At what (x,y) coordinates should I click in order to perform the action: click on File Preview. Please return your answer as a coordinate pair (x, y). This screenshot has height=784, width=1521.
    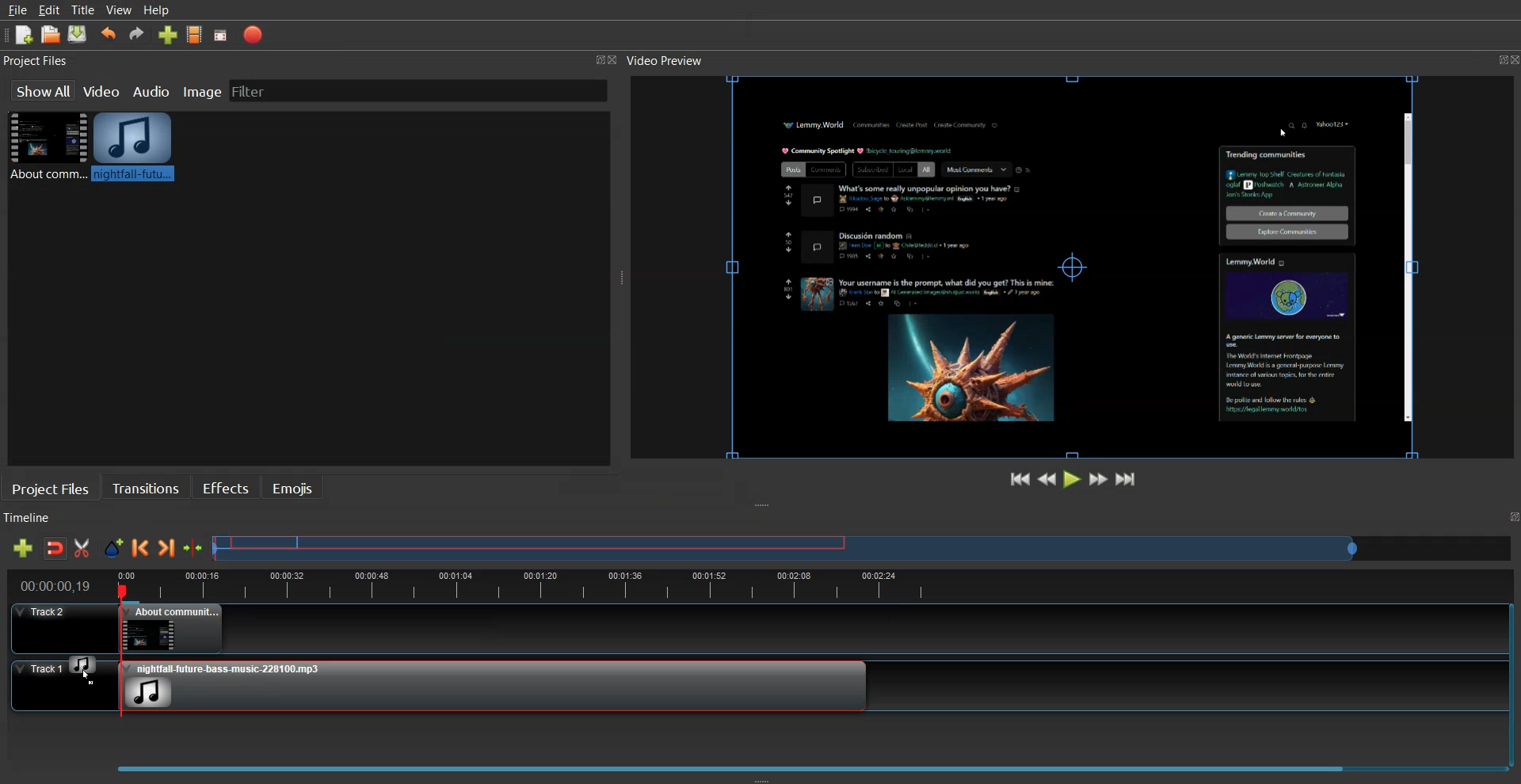
    Looking at the image, I should click on (1050, 263).